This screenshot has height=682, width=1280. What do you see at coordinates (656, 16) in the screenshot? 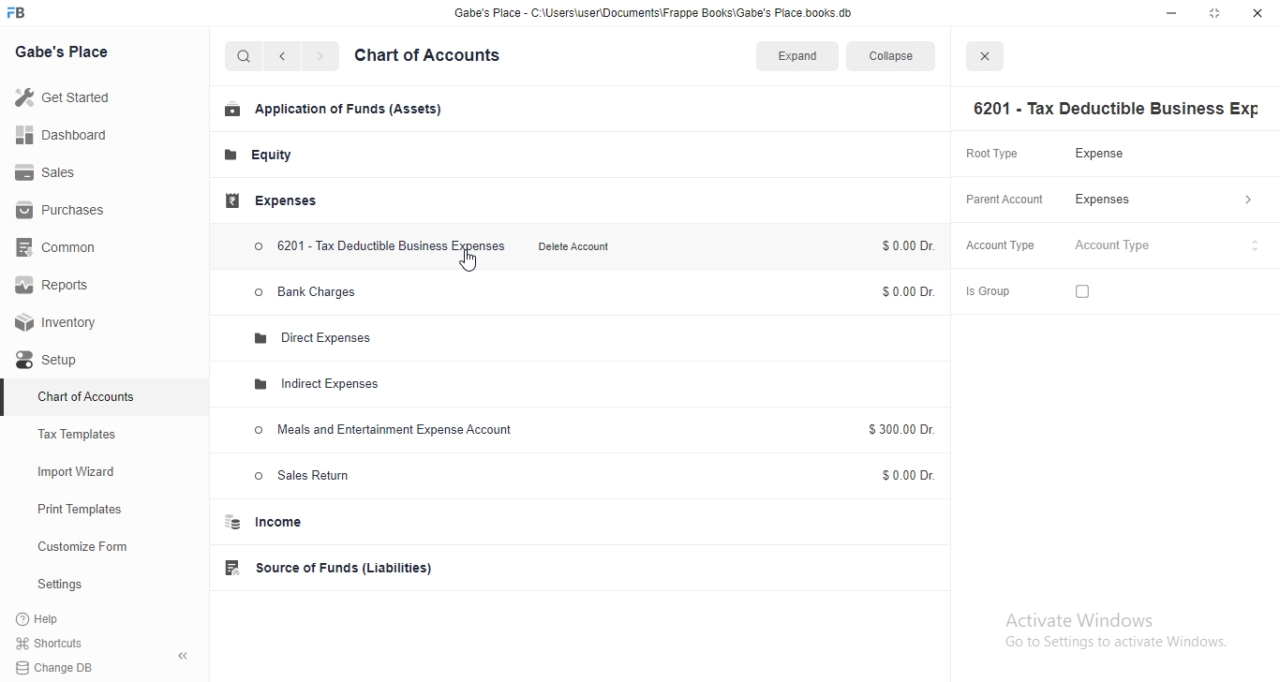
I see `Gabe's Place - C\Users\userDocuments\Frappe Books\Gabe's Place.books.db.` at bounding box center [656, 16].